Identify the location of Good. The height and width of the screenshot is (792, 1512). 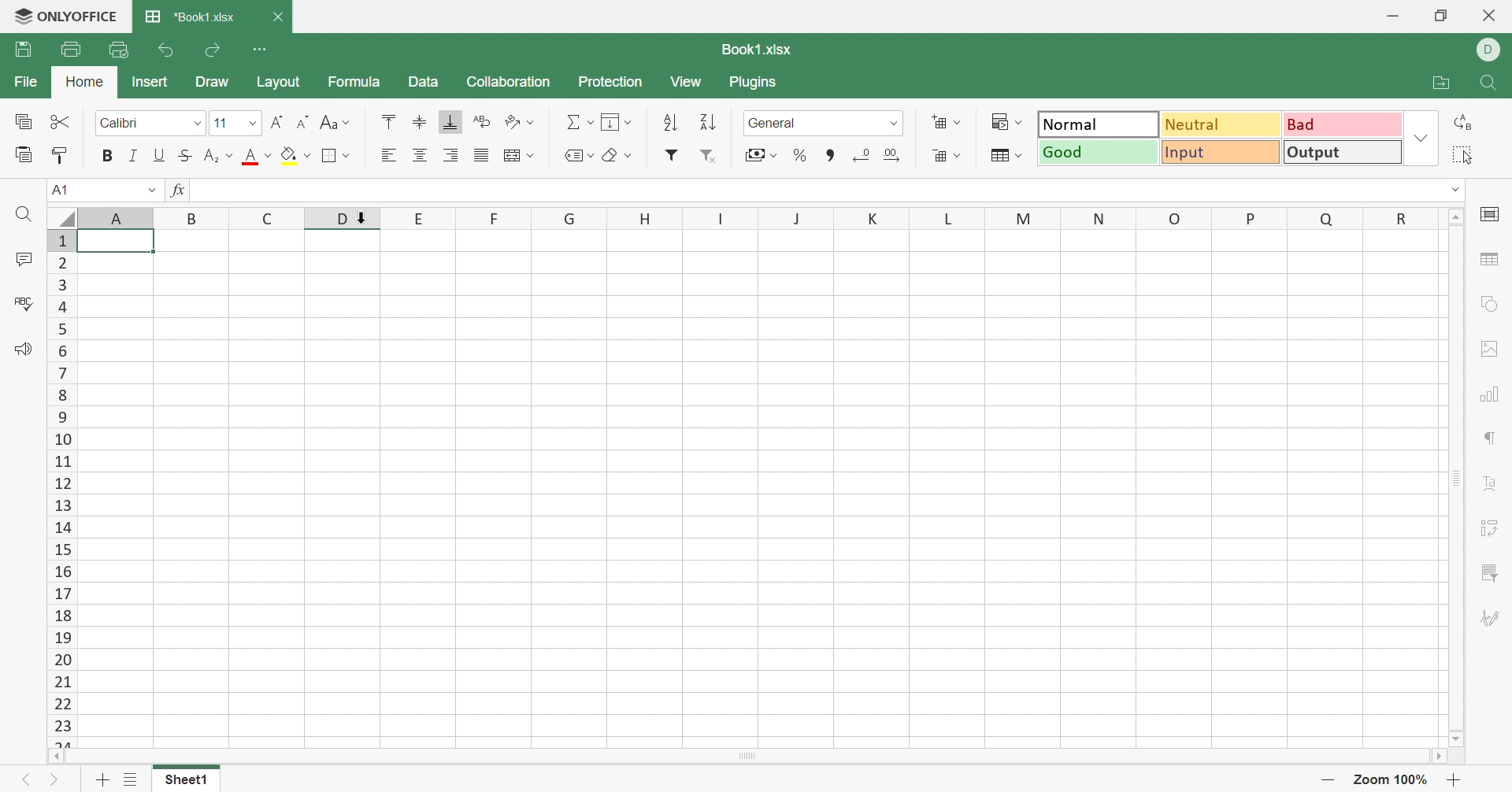
(1099, 154).